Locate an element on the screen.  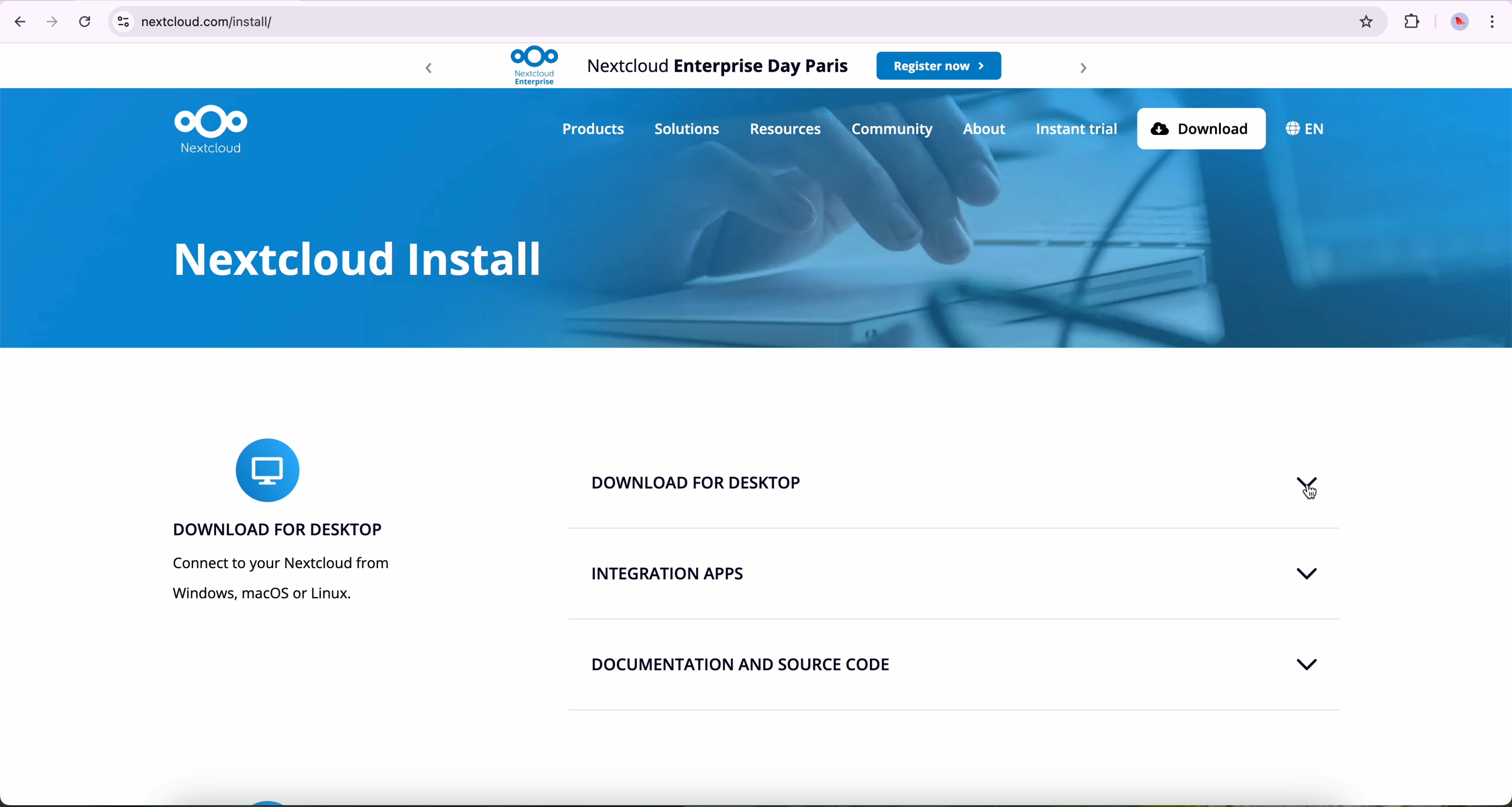
resources is located at coordinates (787, 130).